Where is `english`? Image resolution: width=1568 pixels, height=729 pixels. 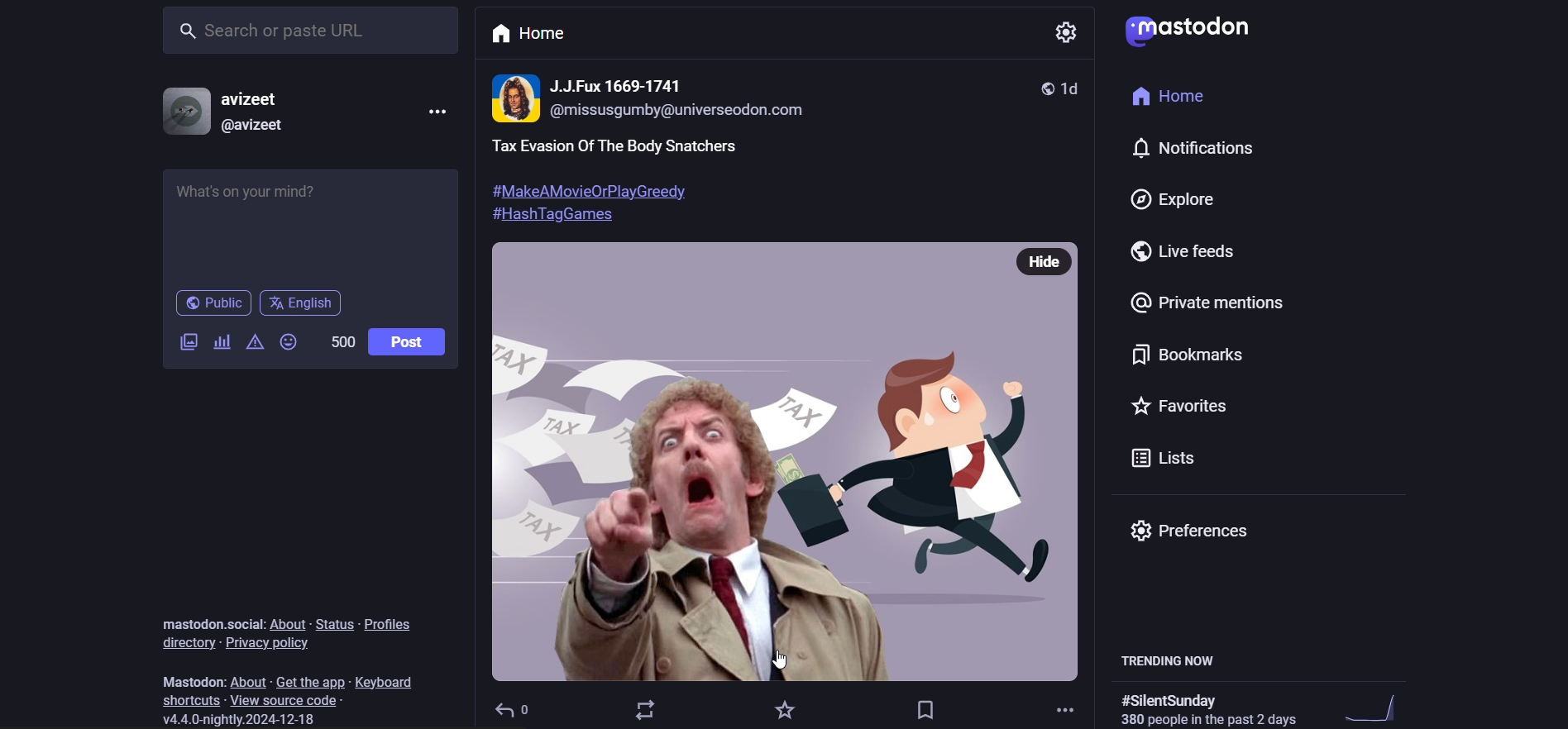
english is located at coordinates (299, 306).